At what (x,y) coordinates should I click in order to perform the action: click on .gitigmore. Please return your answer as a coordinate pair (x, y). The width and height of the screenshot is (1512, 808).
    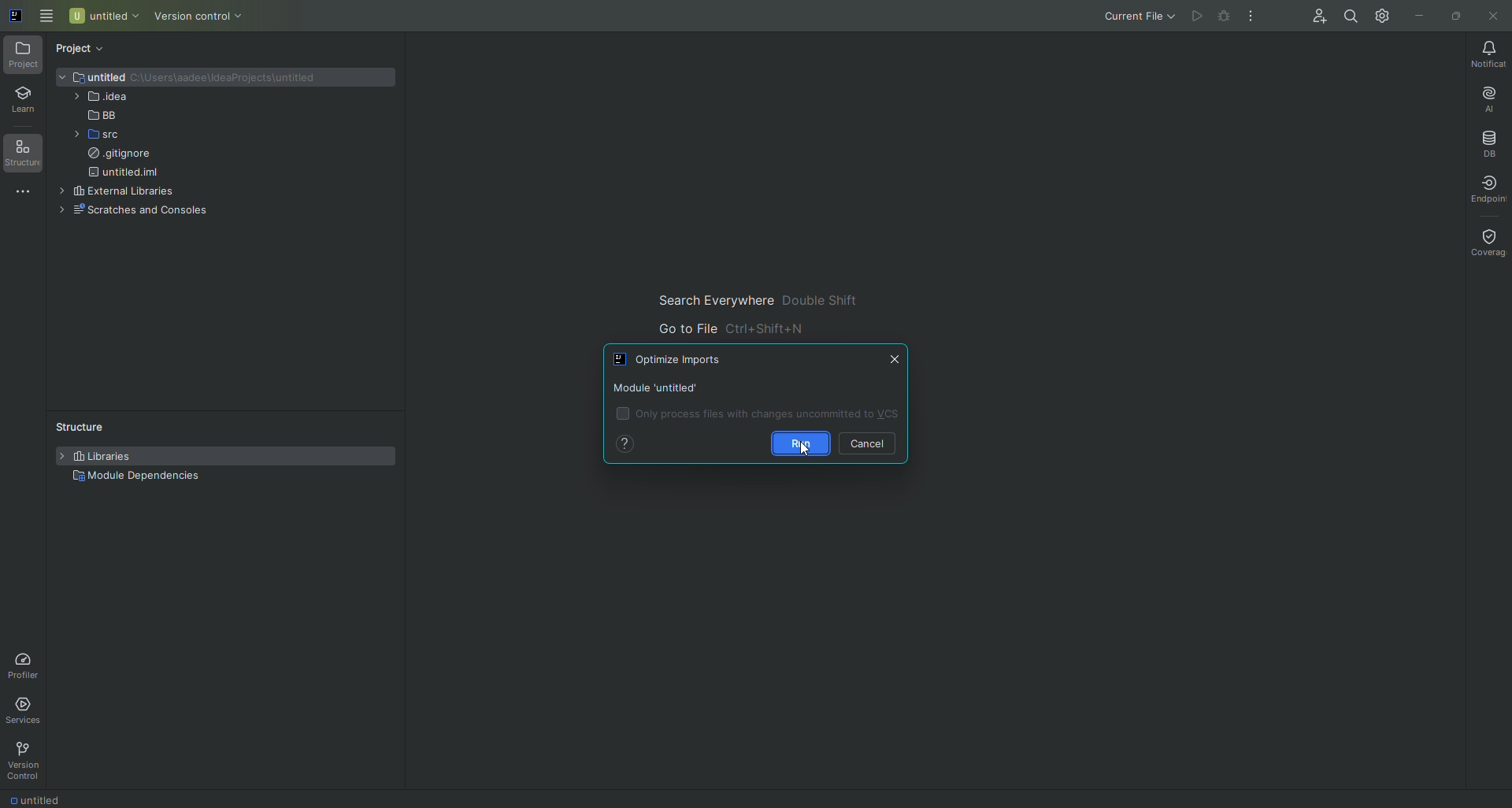
    Looking at the image, I should click on (120, 156).